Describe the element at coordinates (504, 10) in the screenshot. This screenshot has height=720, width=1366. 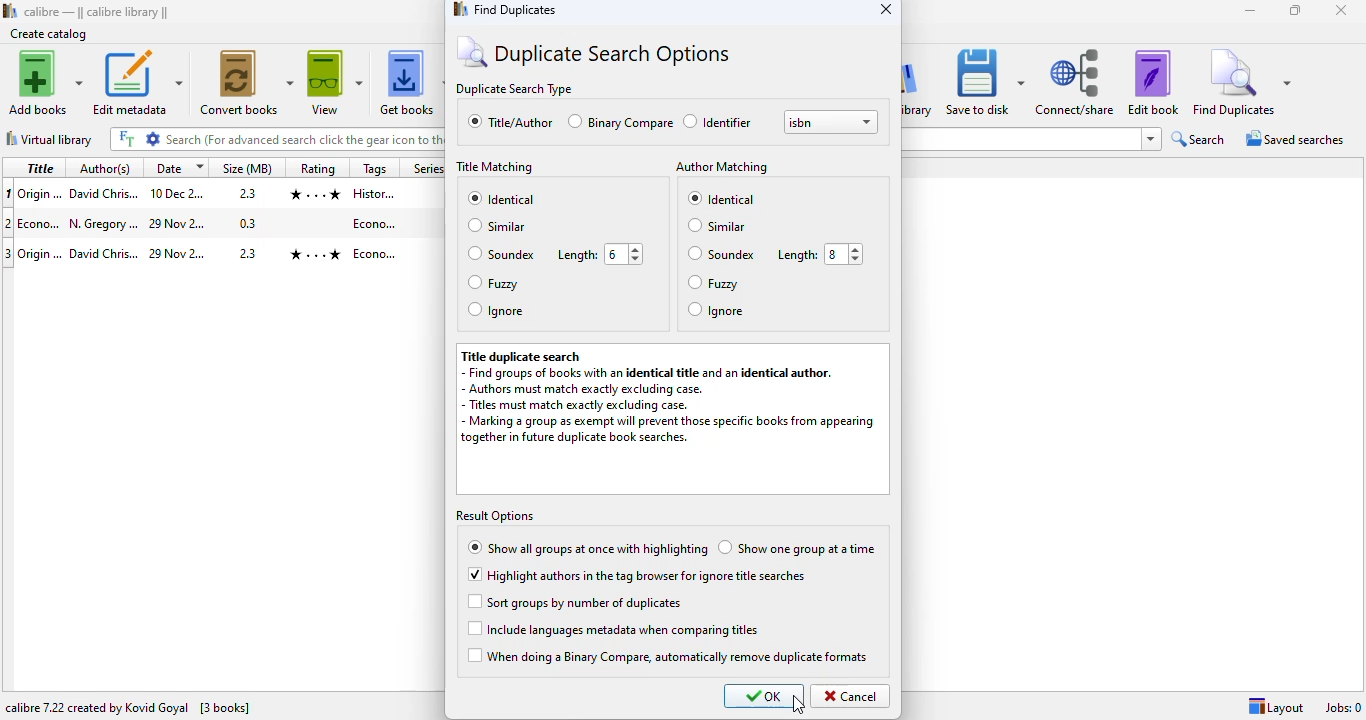
I see `find duplicates` at that location.